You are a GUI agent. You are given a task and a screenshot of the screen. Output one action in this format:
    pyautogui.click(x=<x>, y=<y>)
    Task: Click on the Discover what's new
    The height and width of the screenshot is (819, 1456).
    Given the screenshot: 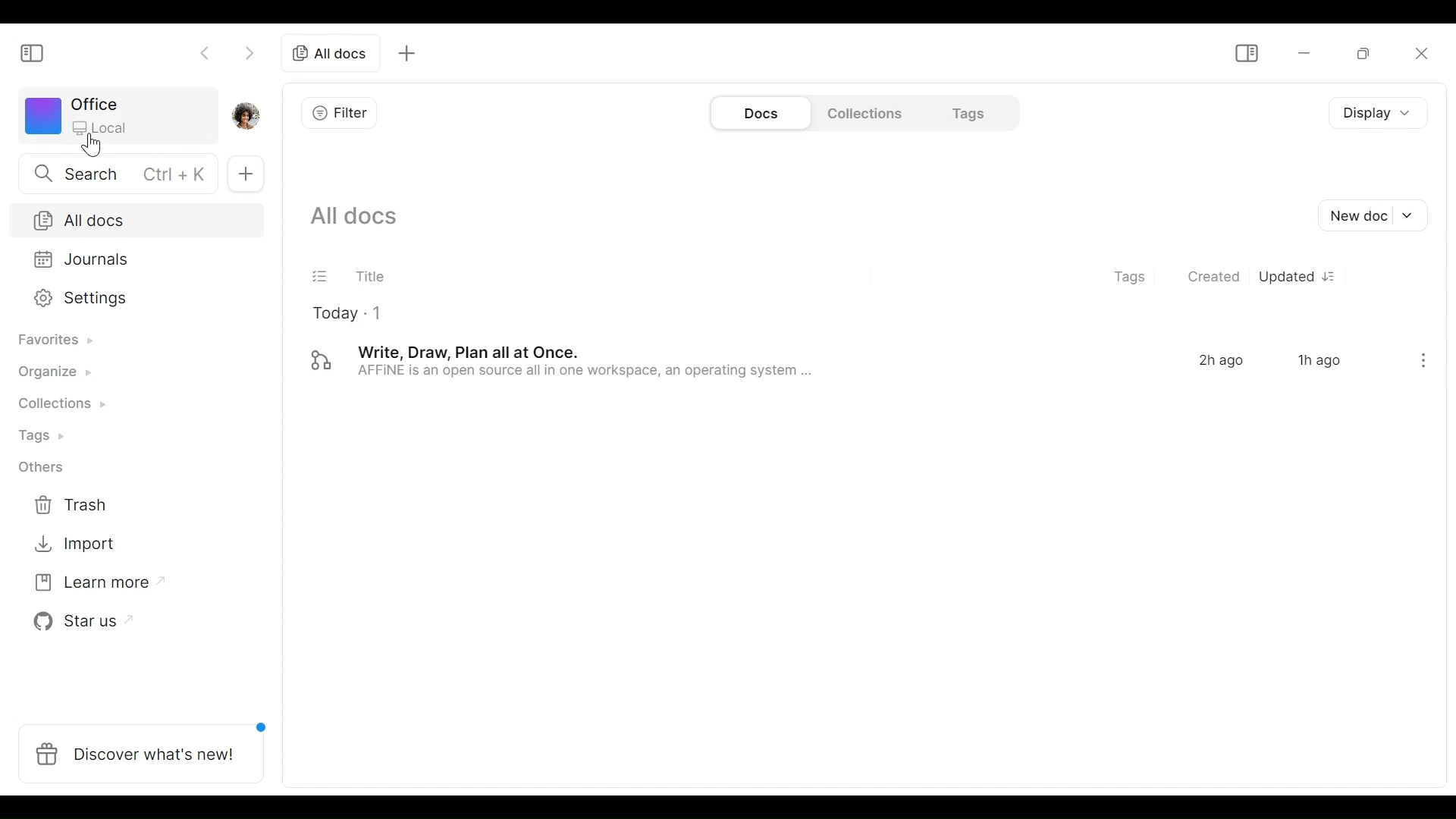 What is the action you would take?
    pyautogui.click(x=140, y=750)
    